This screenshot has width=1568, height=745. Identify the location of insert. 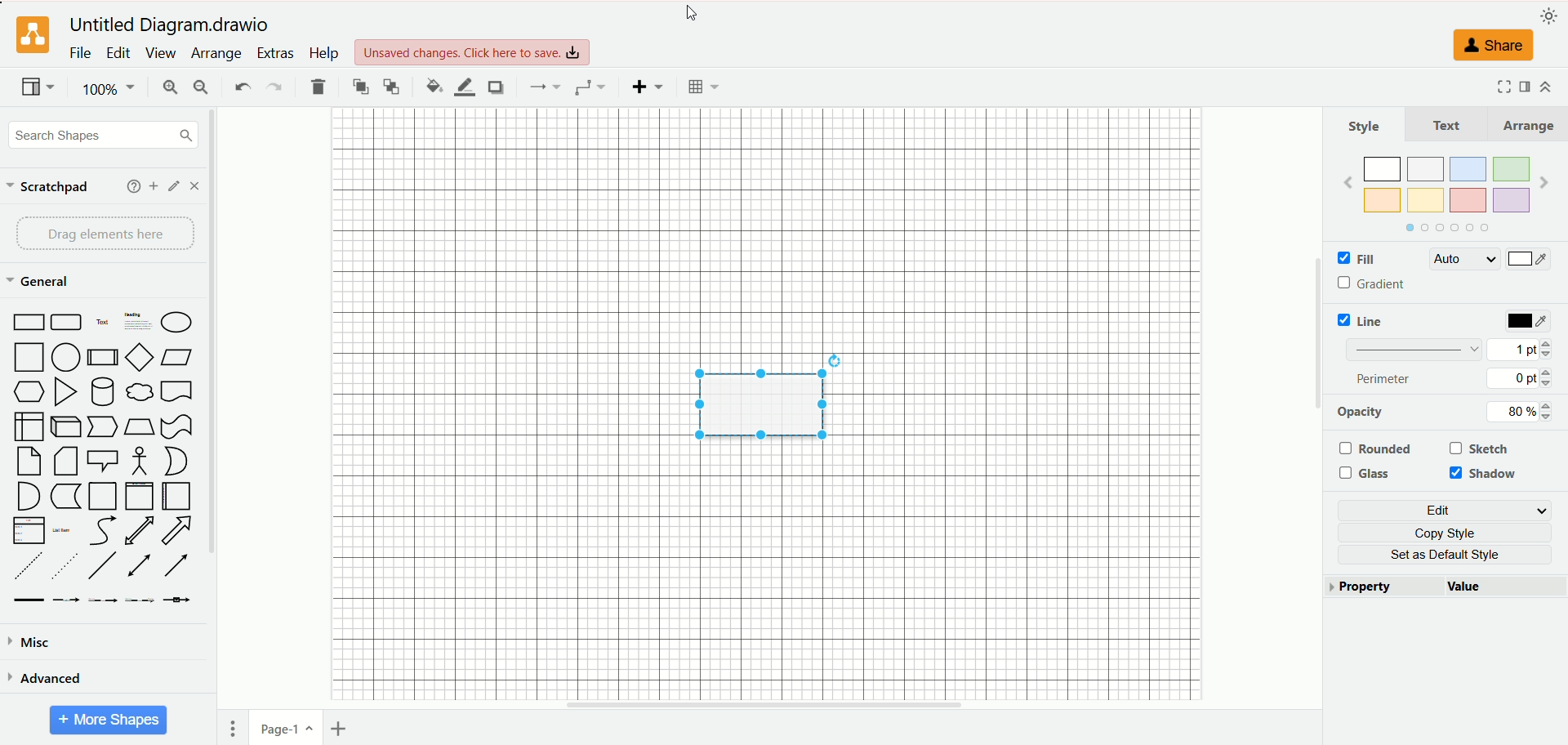
(648, 87).